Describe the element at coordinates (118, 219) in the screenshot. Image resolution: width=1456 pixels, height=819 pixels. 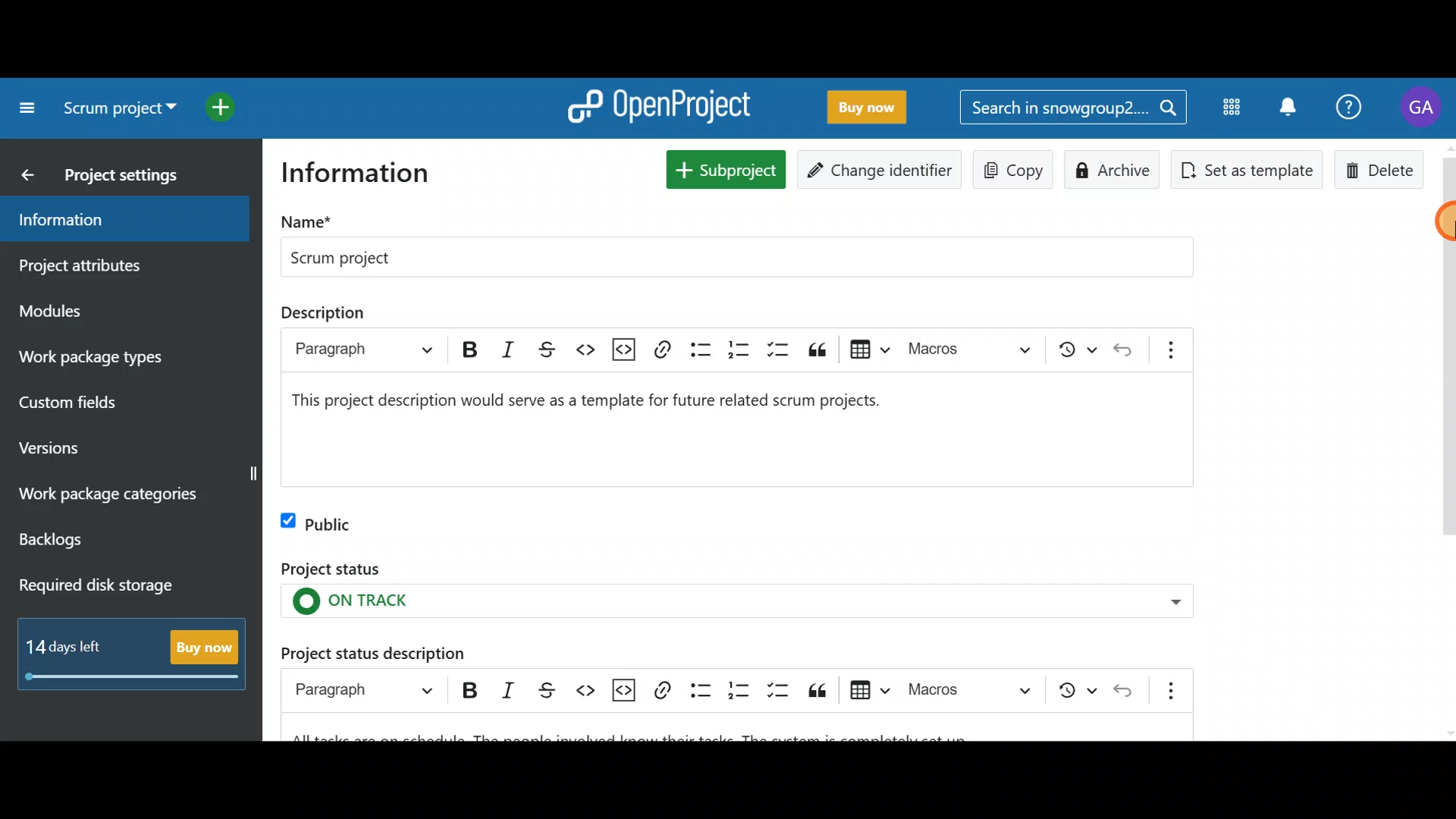
I see `Information` at that location.